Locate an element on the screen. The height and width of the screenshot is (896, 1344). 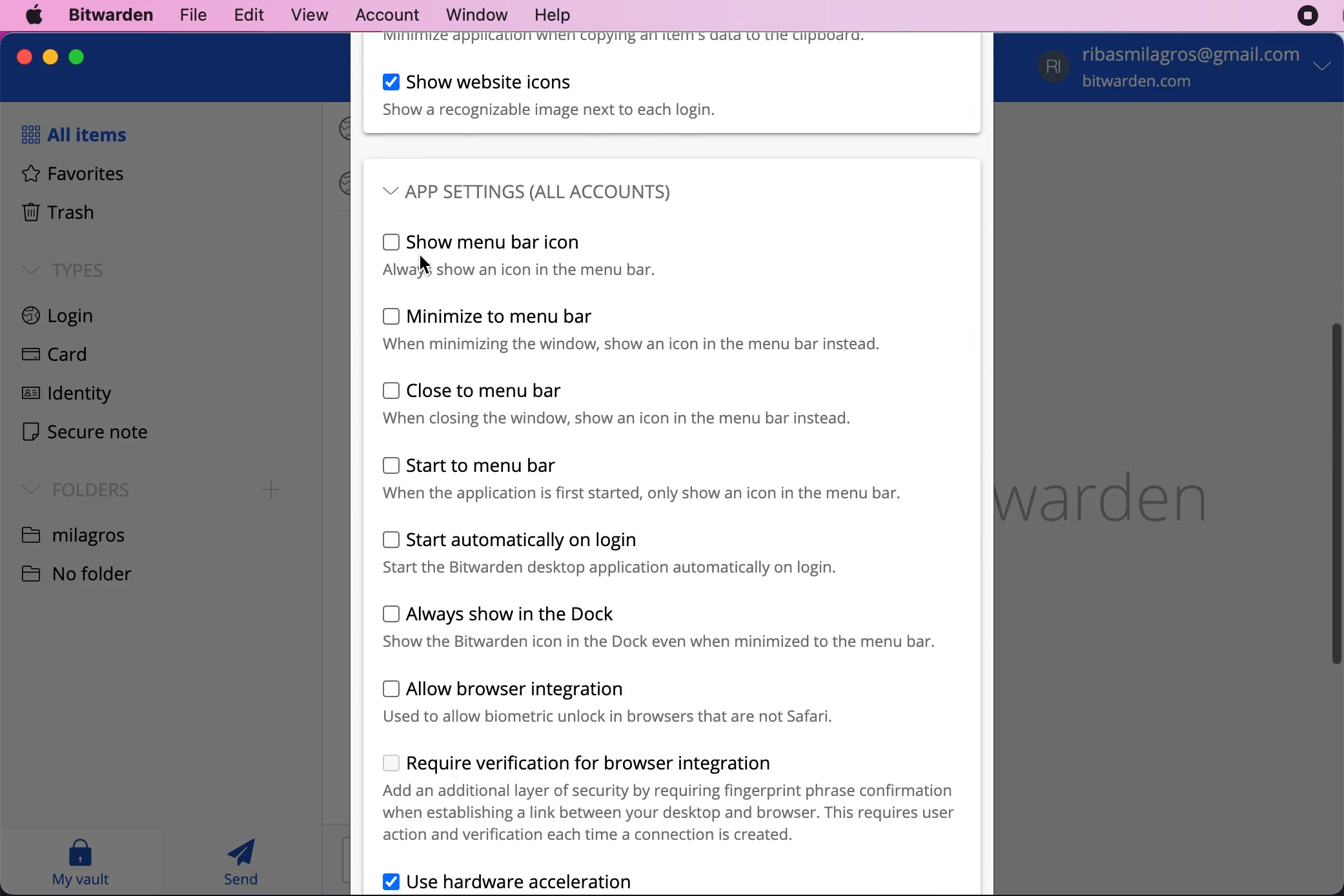
Cursor is located at coordinates (423, 265).